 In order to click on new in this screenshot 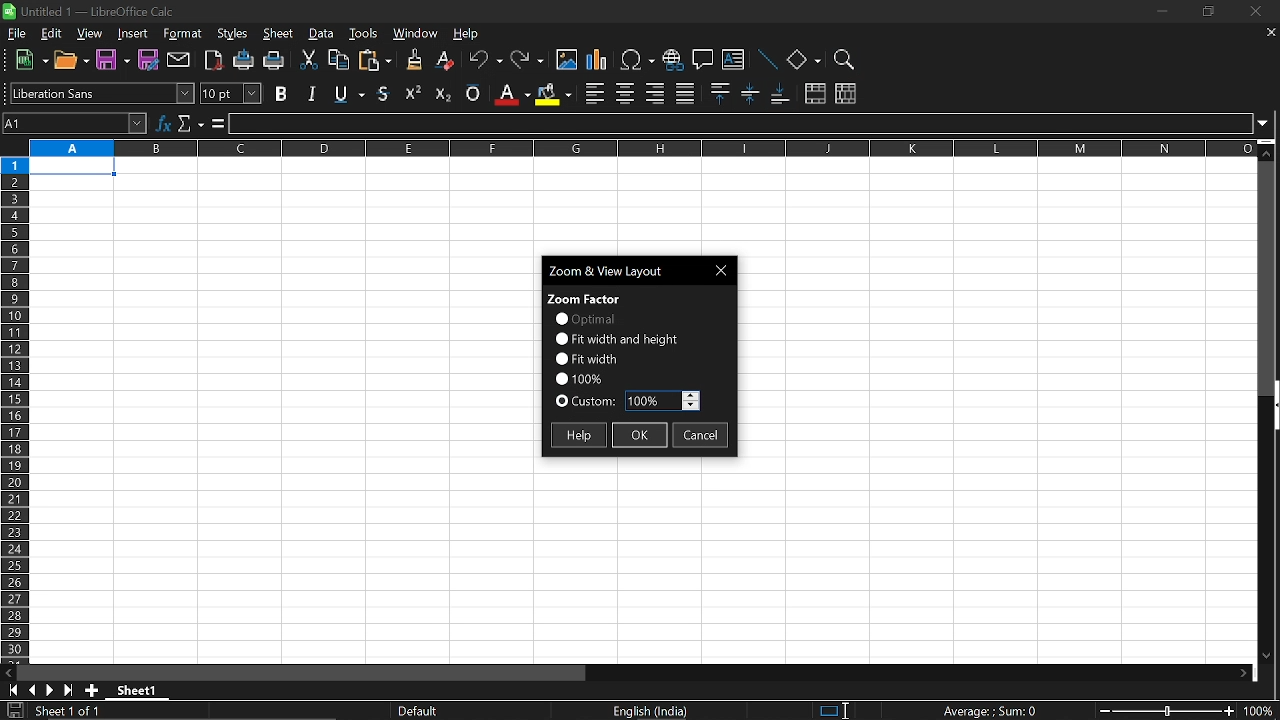, I will do `click(32, 61)`.